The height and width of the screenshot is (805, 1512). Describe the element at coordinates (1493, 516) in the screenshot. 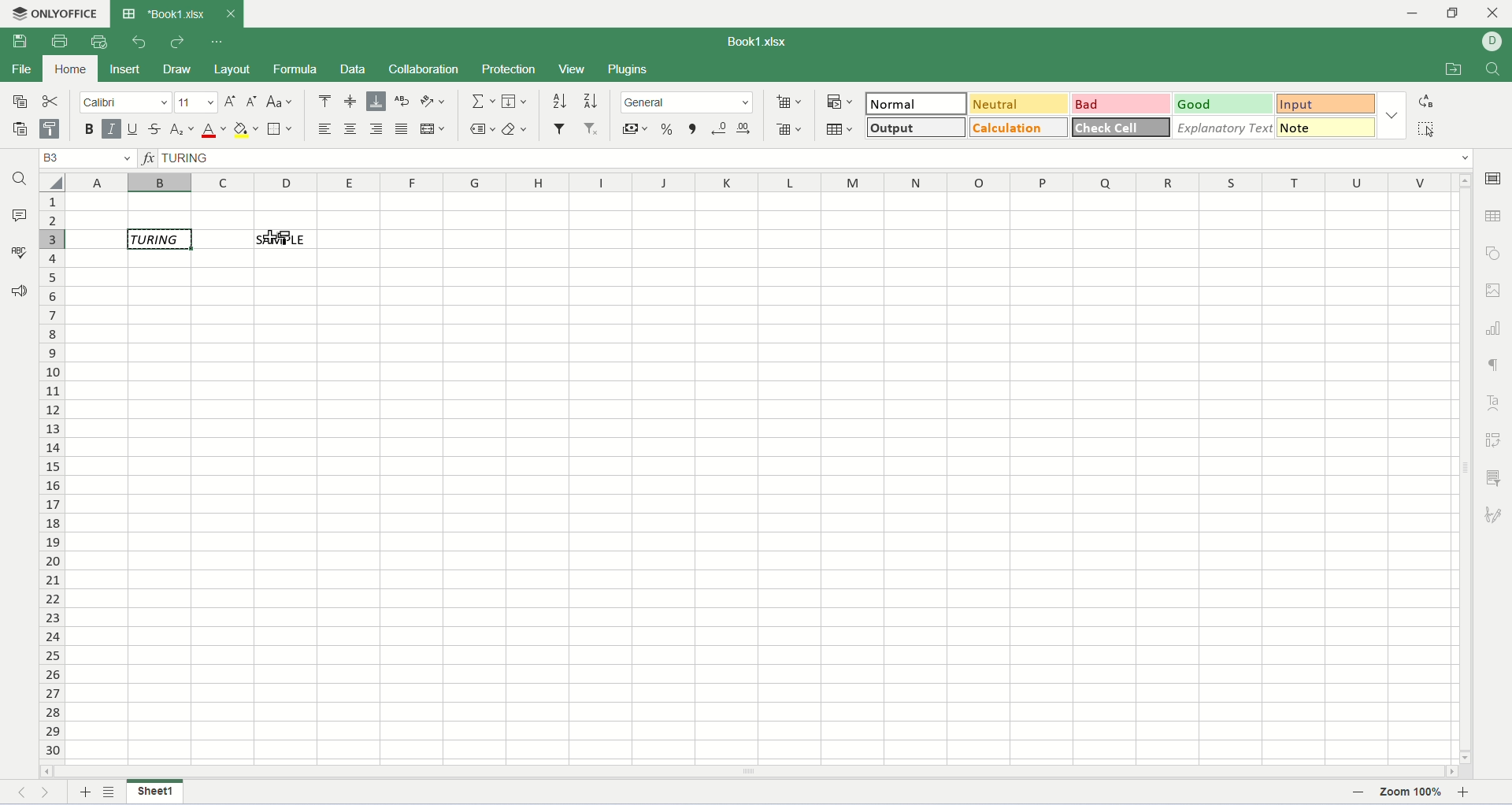

I see `signature settings` at that location.